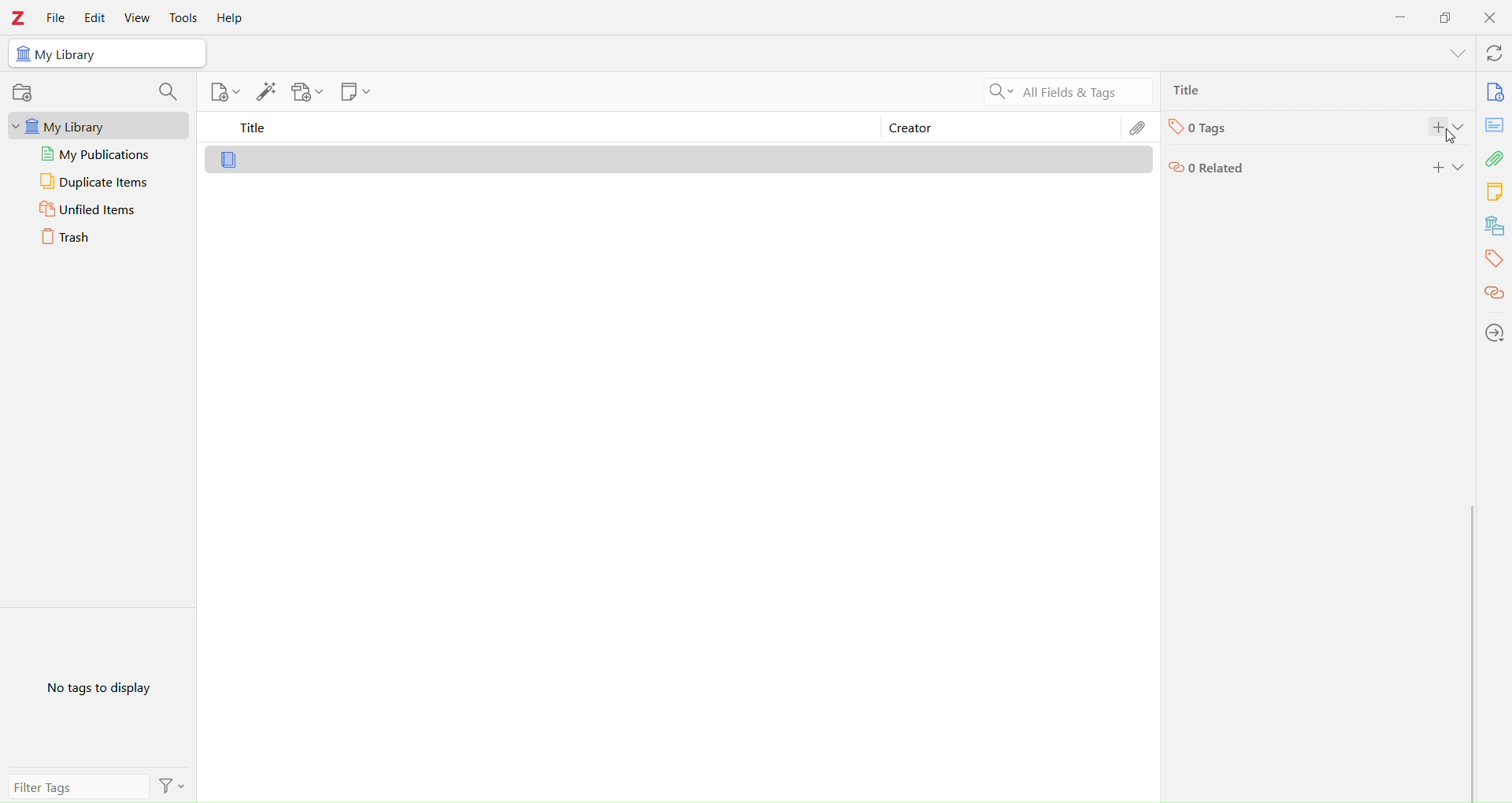 The image size is (1512, 803). I want to click on Edit, so click(93, 14).